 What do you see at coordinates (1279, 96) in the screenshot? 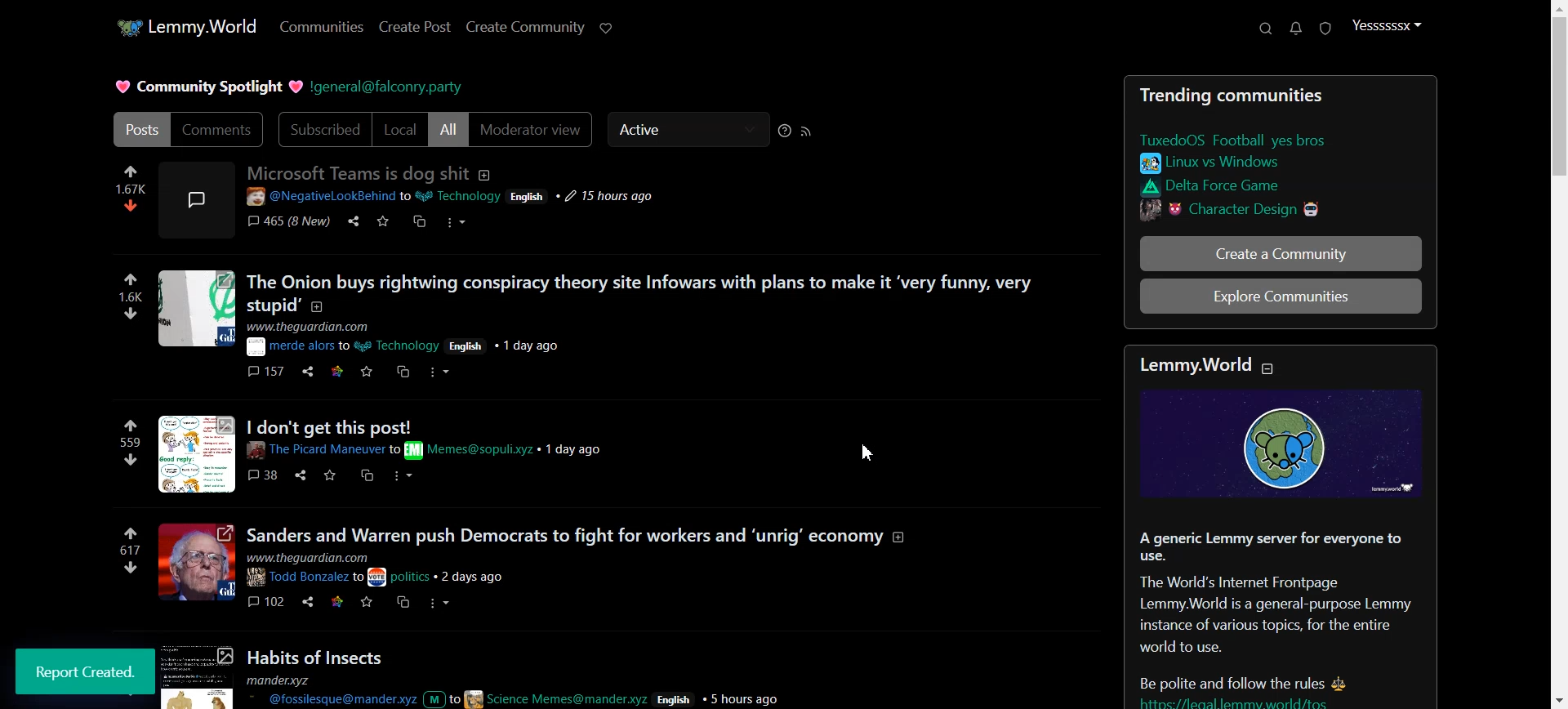
I see `Text` at bounding box center [1279, 96].